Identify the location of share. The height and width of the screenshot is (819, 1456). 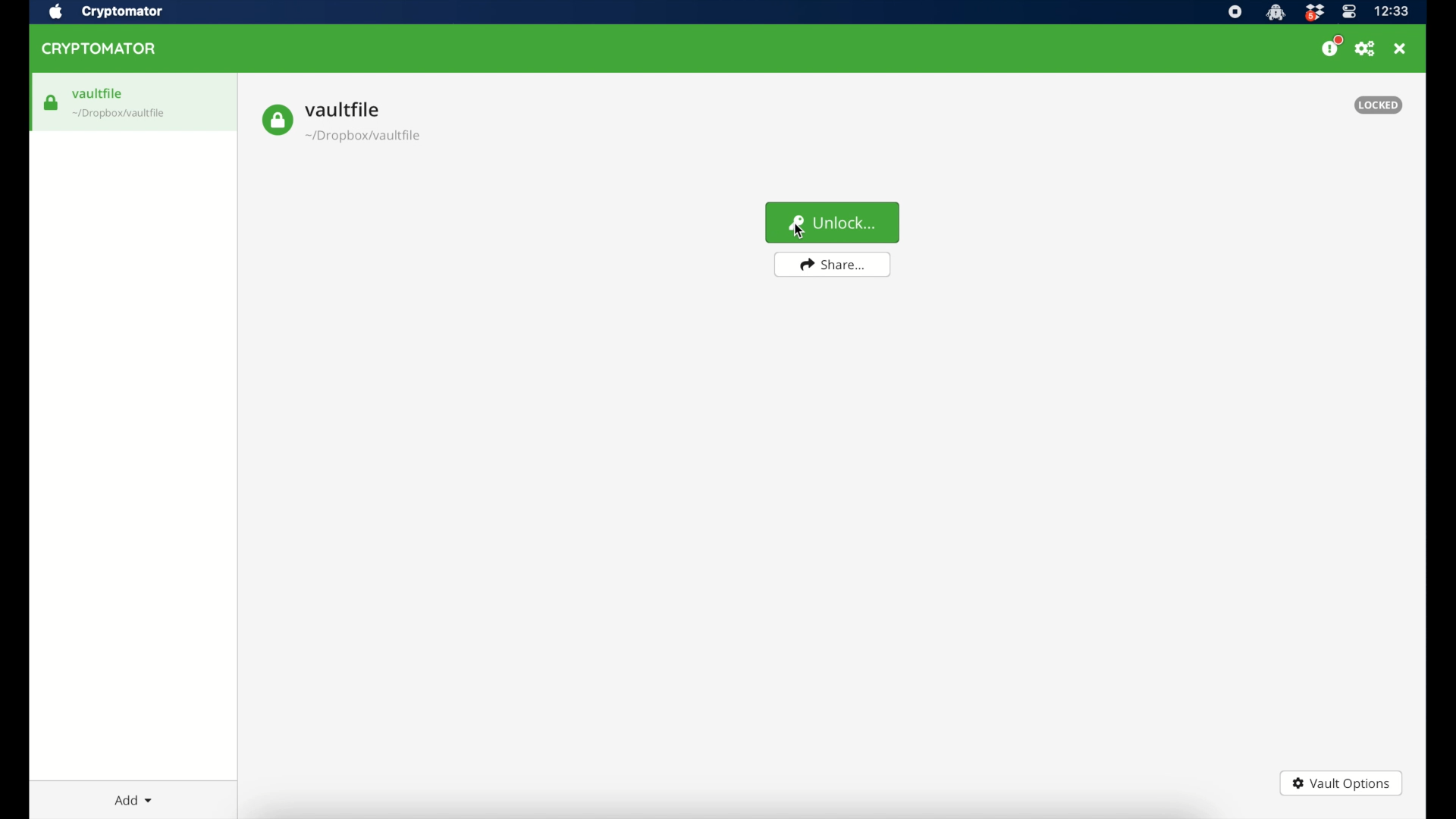
(833, 265).